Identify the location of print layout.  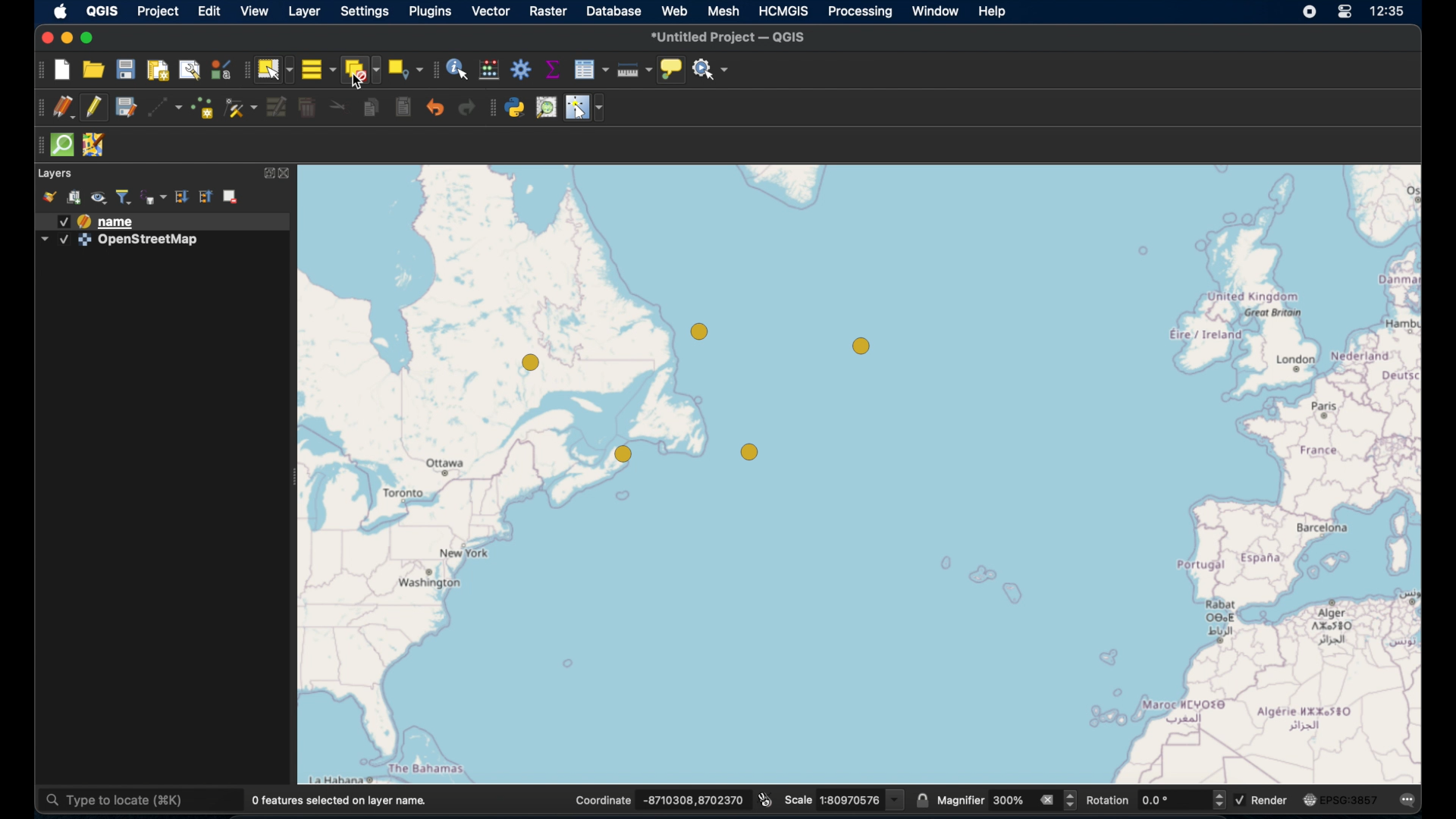
(156, 70).